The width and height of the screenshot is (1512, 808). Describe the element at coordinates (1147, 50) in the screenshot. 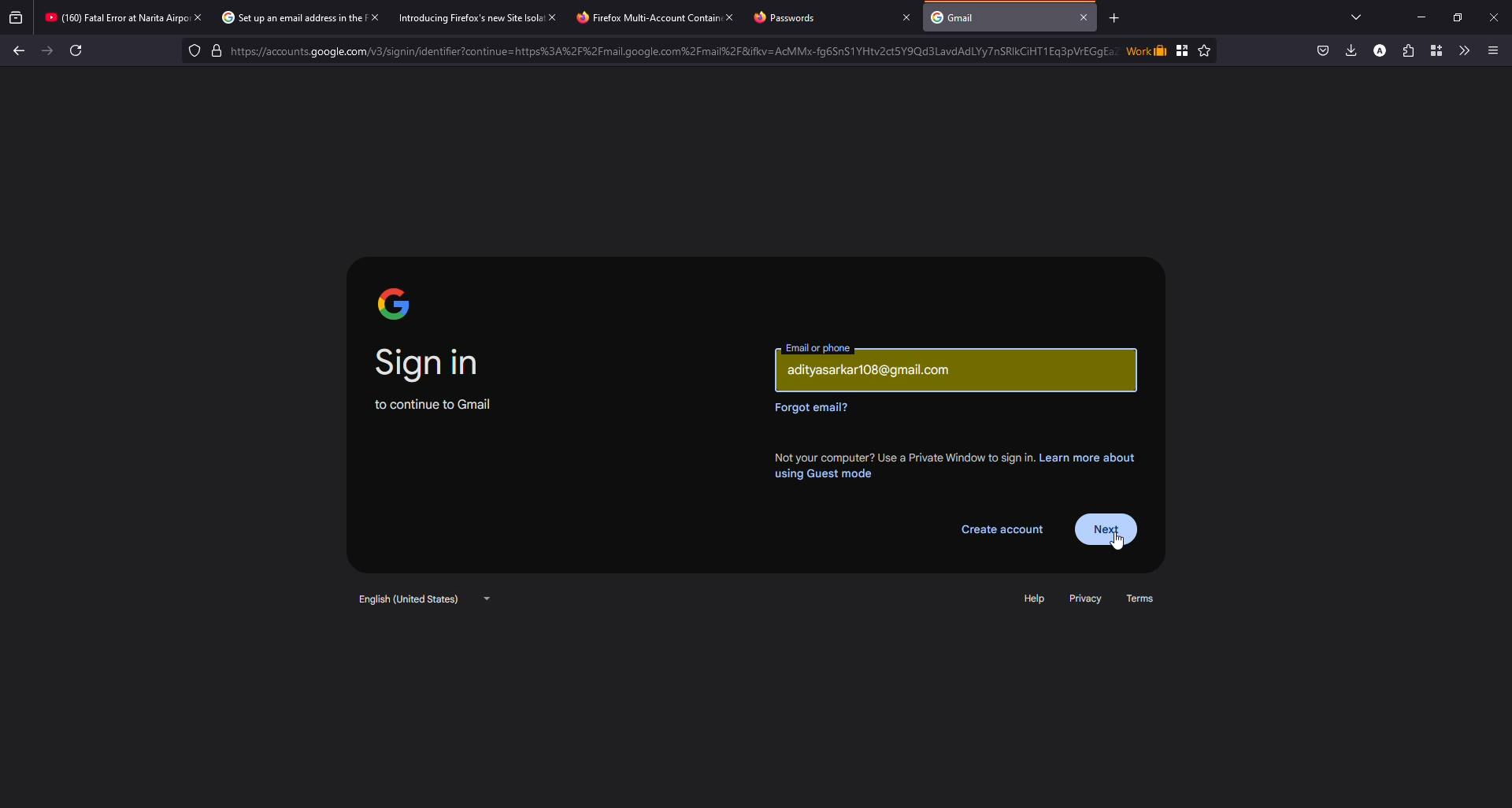

I see `Work` at that location.